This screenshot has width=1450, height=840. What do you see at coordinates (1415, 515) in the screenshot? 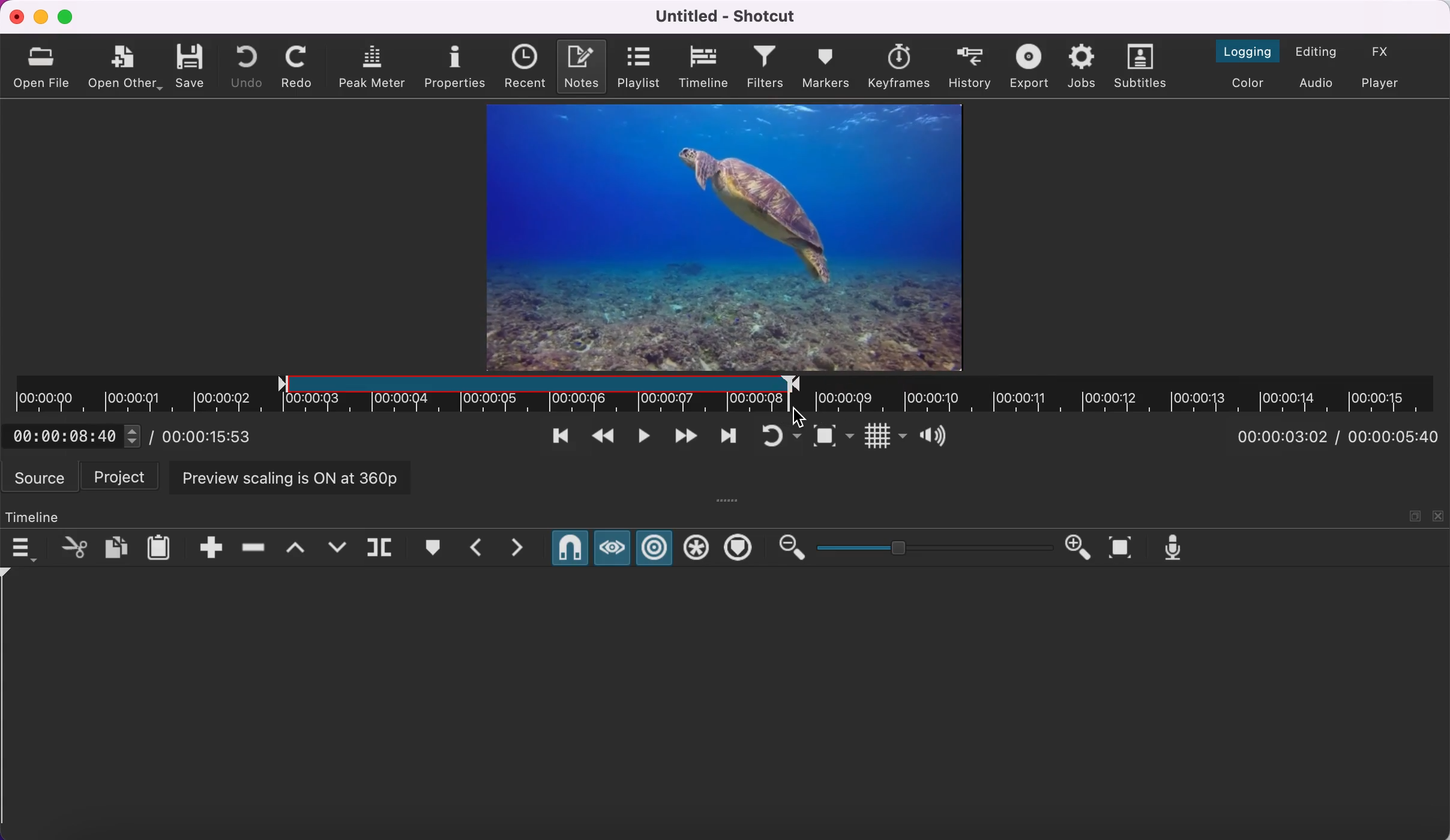
I see `maximize` at bounding box center [1415, 515].